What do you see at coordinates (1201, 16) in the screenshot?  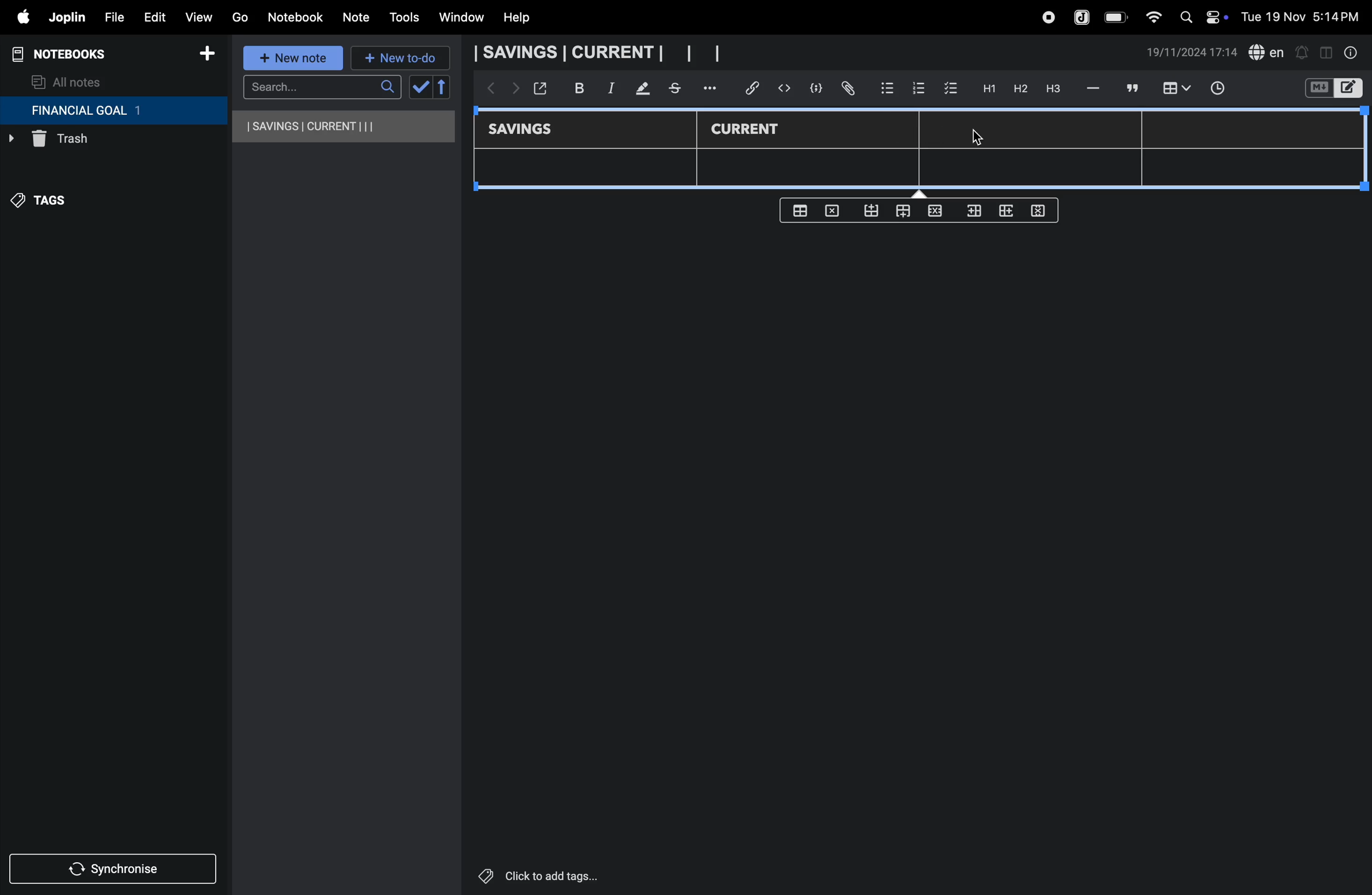 I see `apple widgets` at bounding box center [1201, 16].